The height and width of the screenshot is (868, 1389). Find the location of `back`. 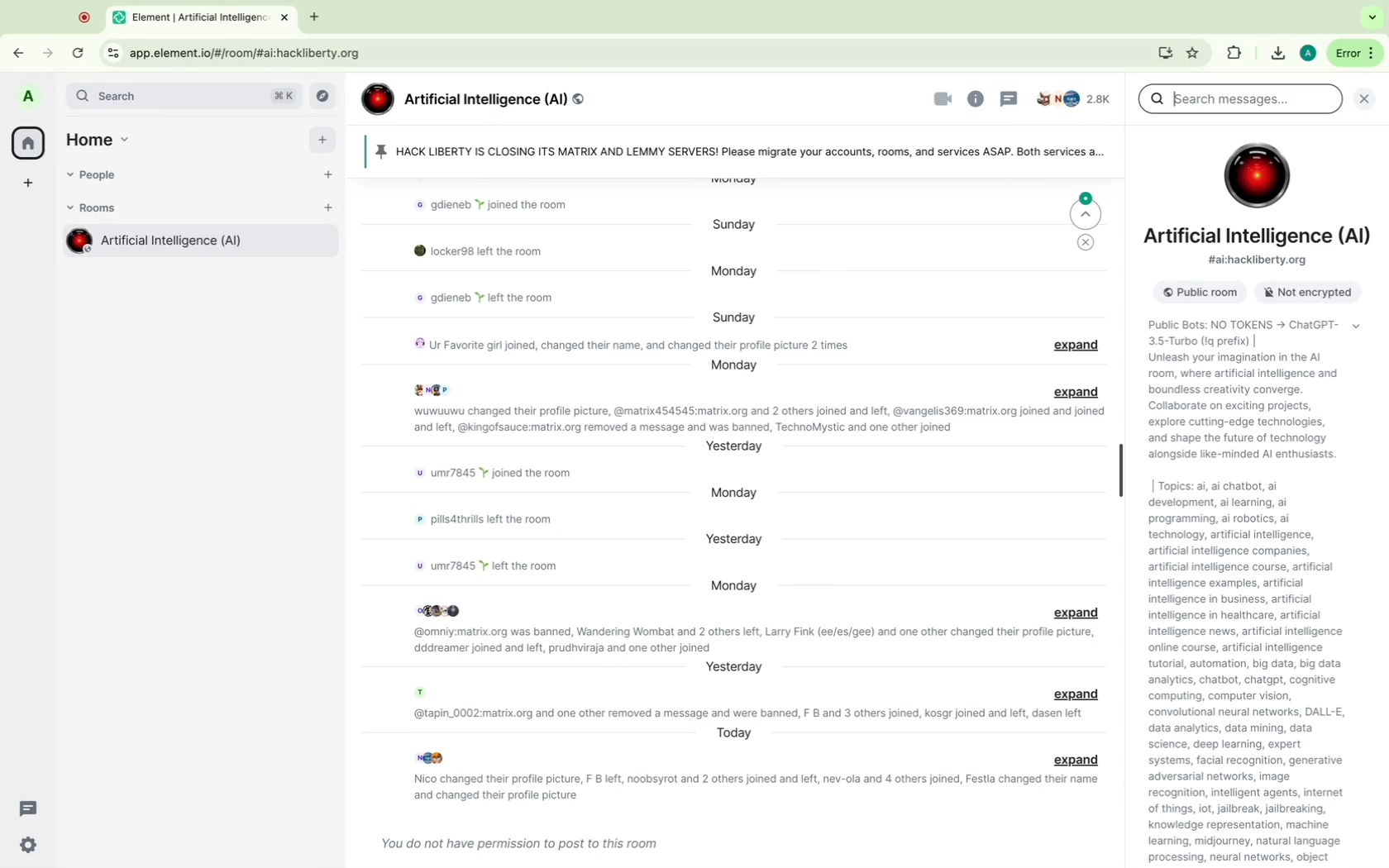

back is located at coordinates (24, 49).